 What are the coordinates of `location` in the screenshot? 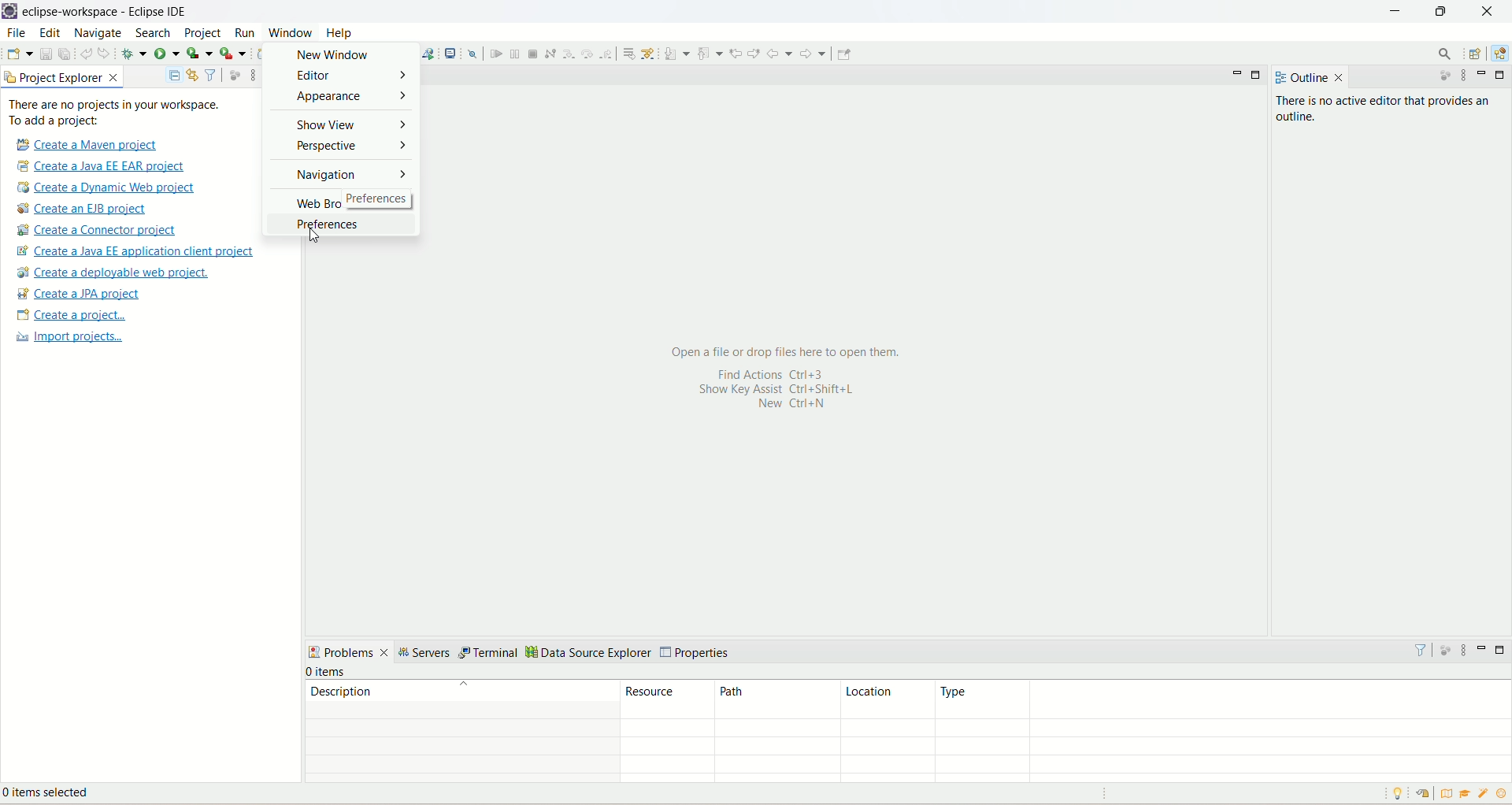 It's located at (885, 700).